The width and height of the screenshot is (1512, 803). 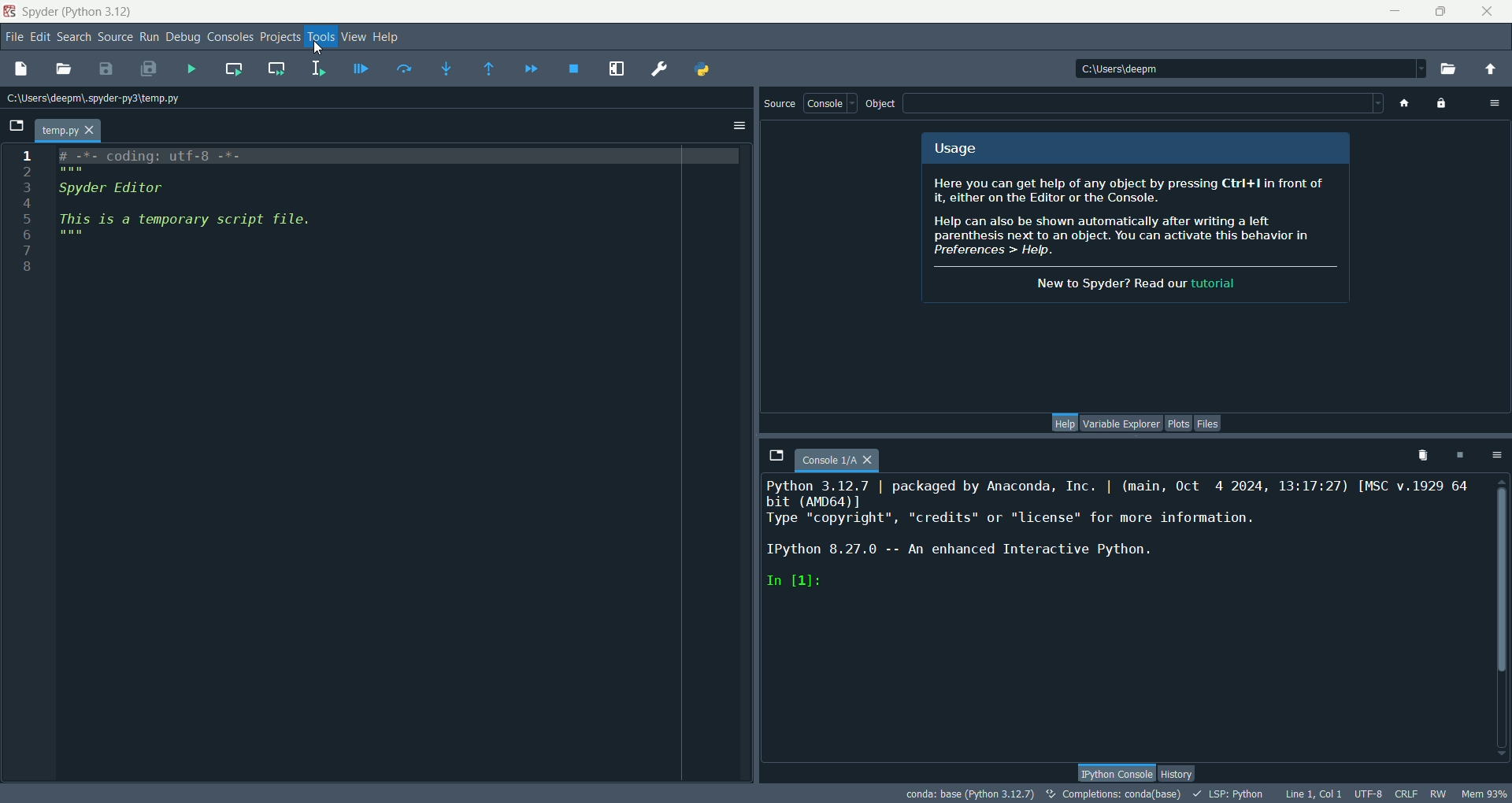 What do you see at coordinates (617, 68) in the screenshot?
I see `maximize current pane` at bounding box center [617, 68].